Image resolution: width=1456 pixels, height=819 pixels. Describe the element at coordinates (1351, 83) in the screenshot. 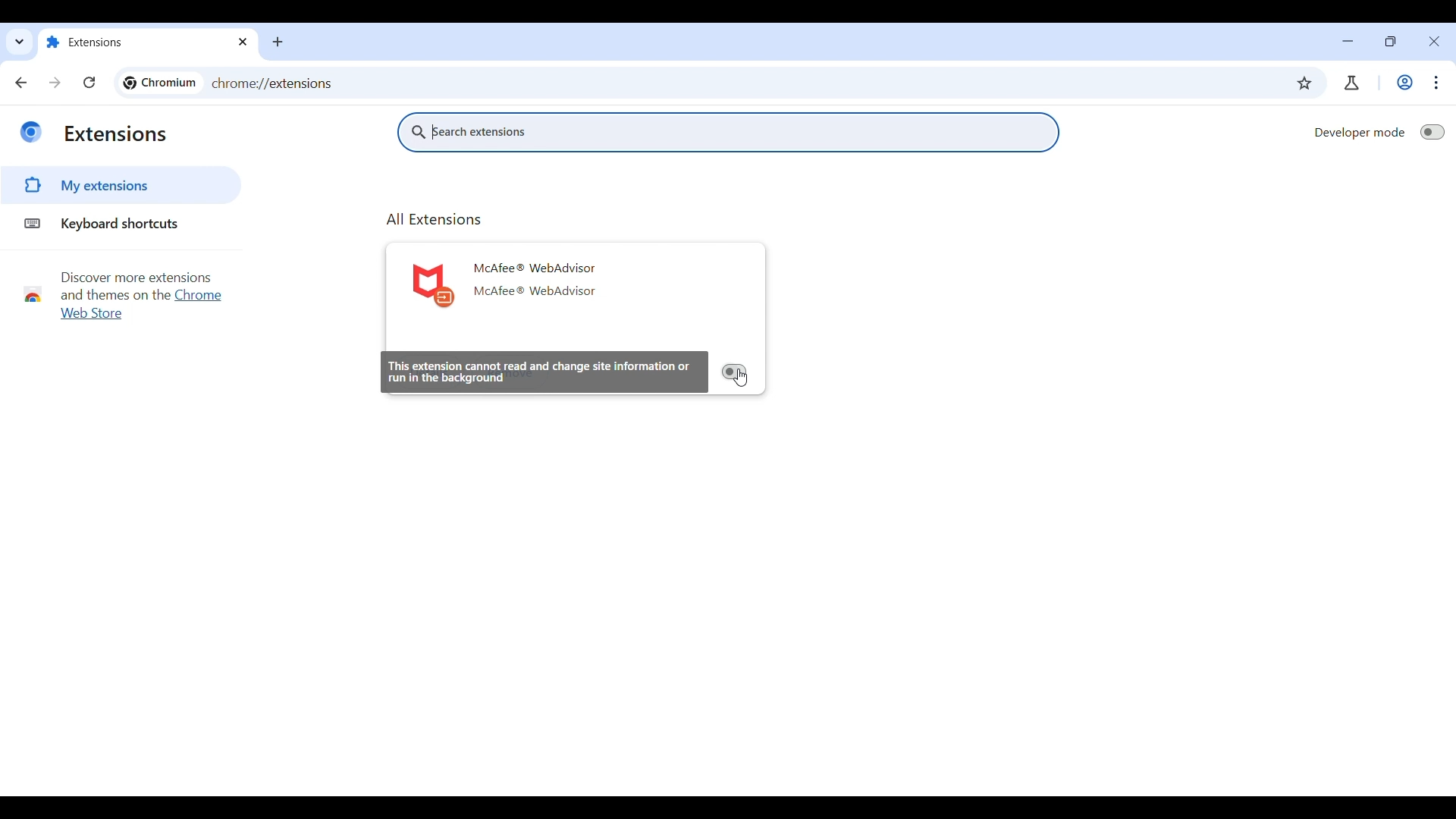

I see `Chrome labs` at that location.